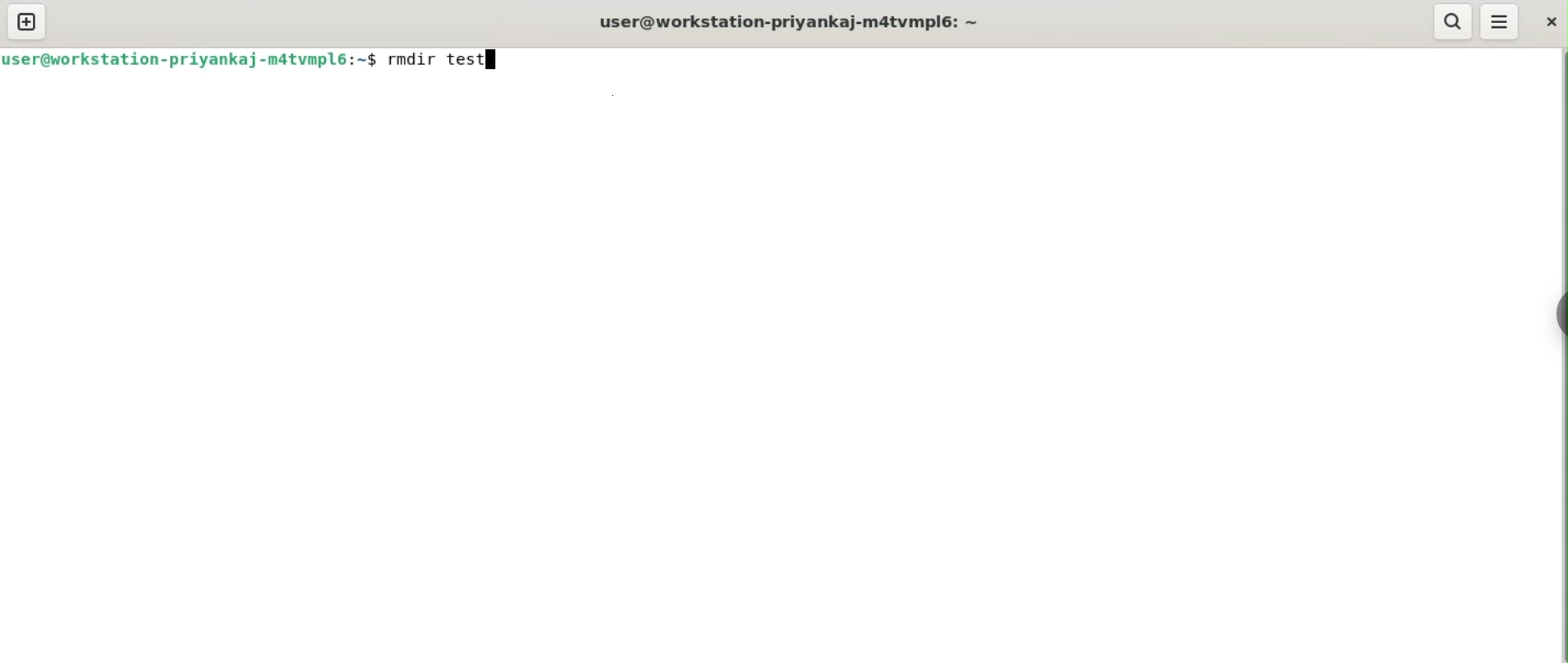 The height and width of the screenshot is (663, 1568). Describe the element at coordinates (1548, 21) in the screenshot. I see `close` at that location.